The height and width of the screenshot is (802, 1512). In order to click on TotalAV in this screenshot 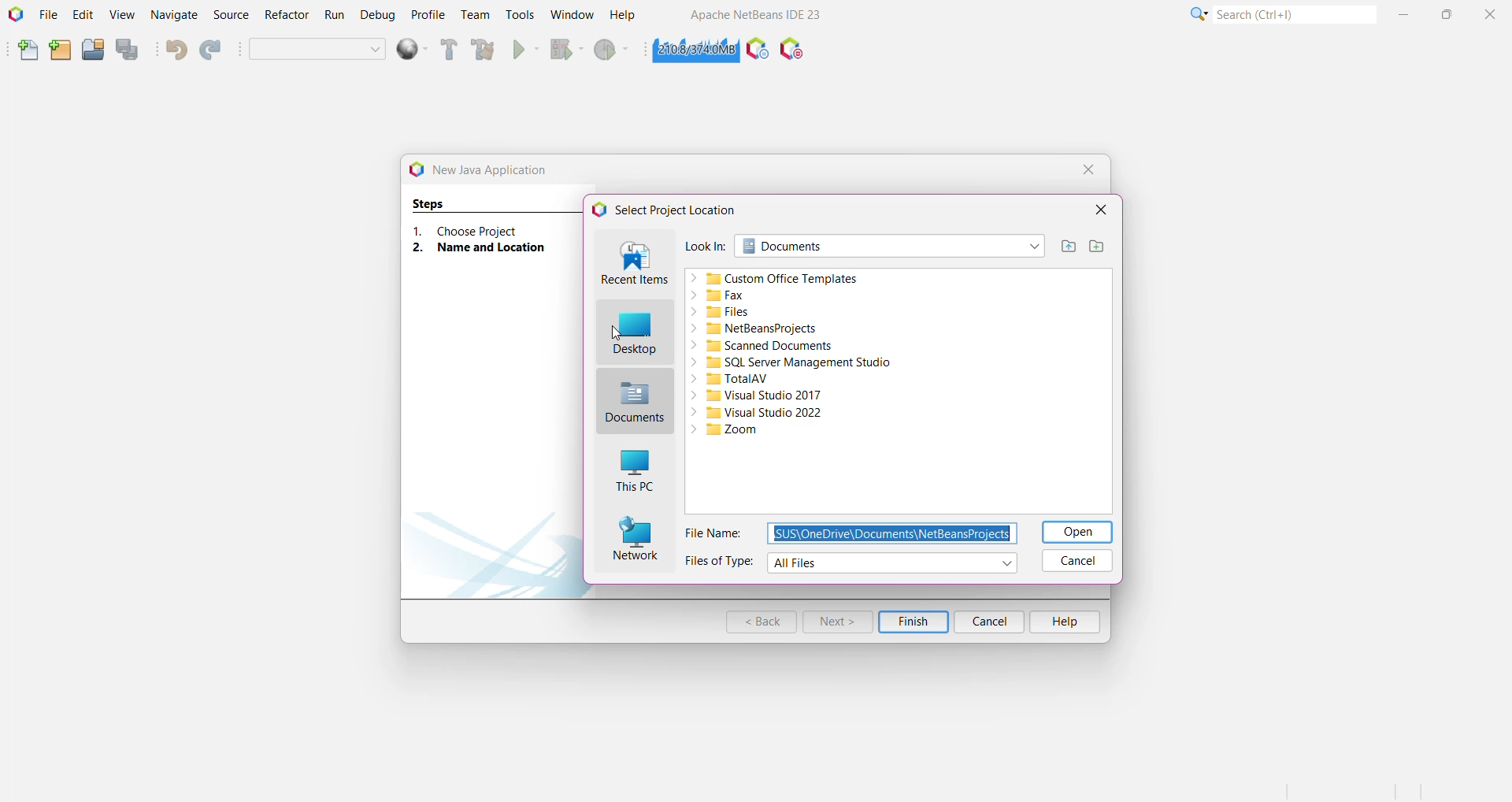, I will do `click(787, 379)`.